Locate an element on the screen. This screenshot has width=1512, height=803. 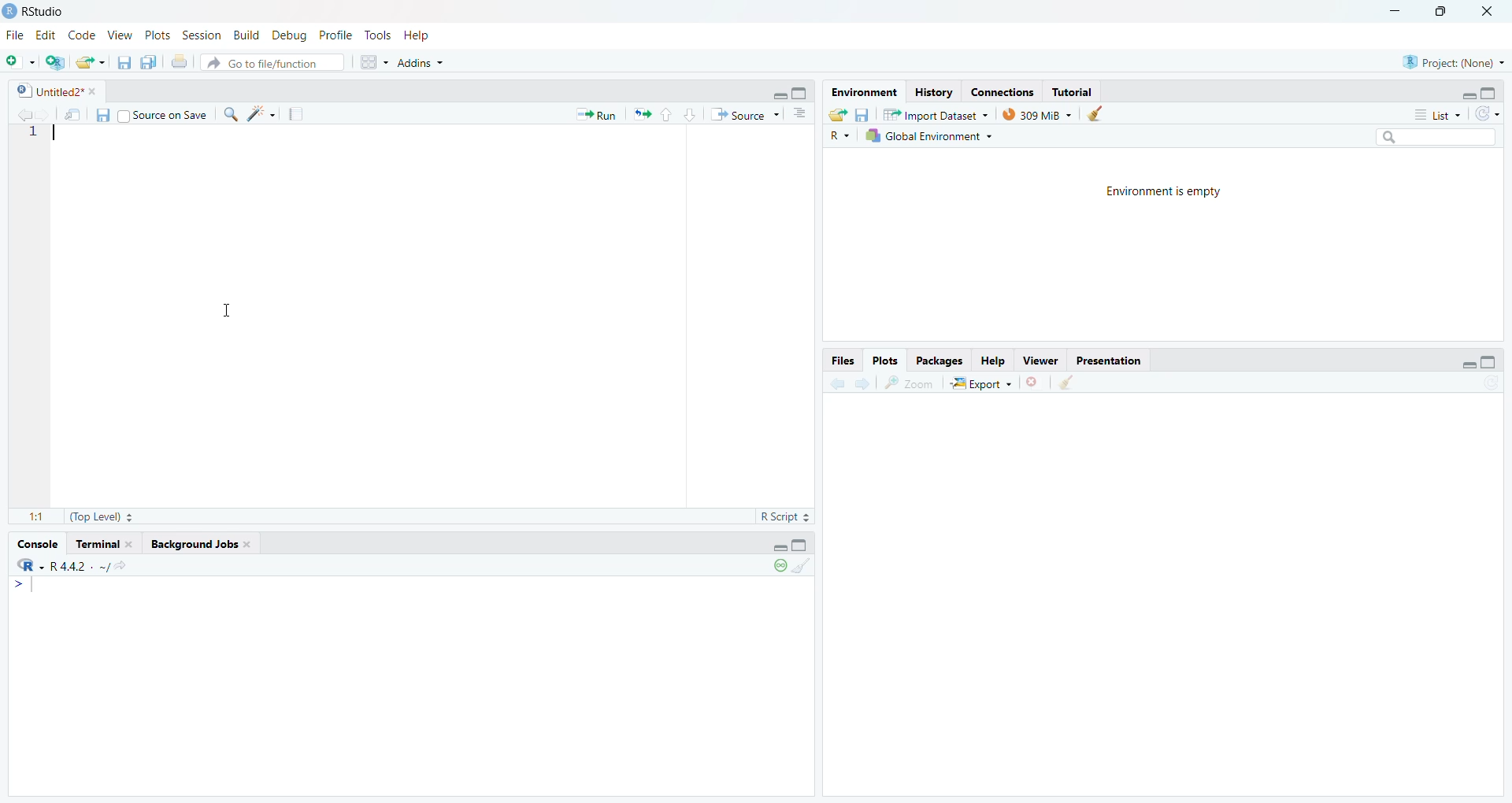
save is located at coordinates (102, 117).